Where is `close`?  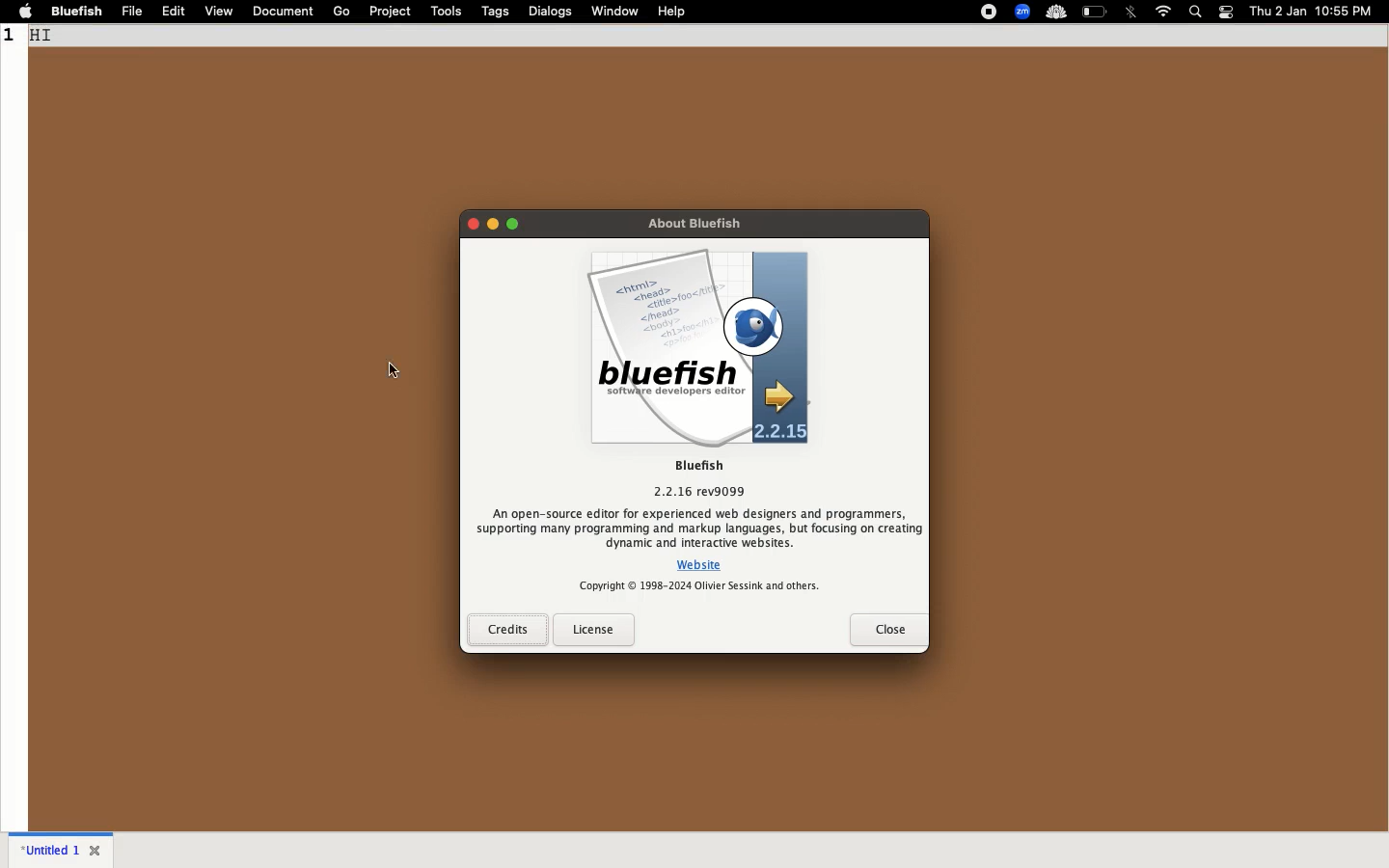 close is located at coordinates (97, 849).